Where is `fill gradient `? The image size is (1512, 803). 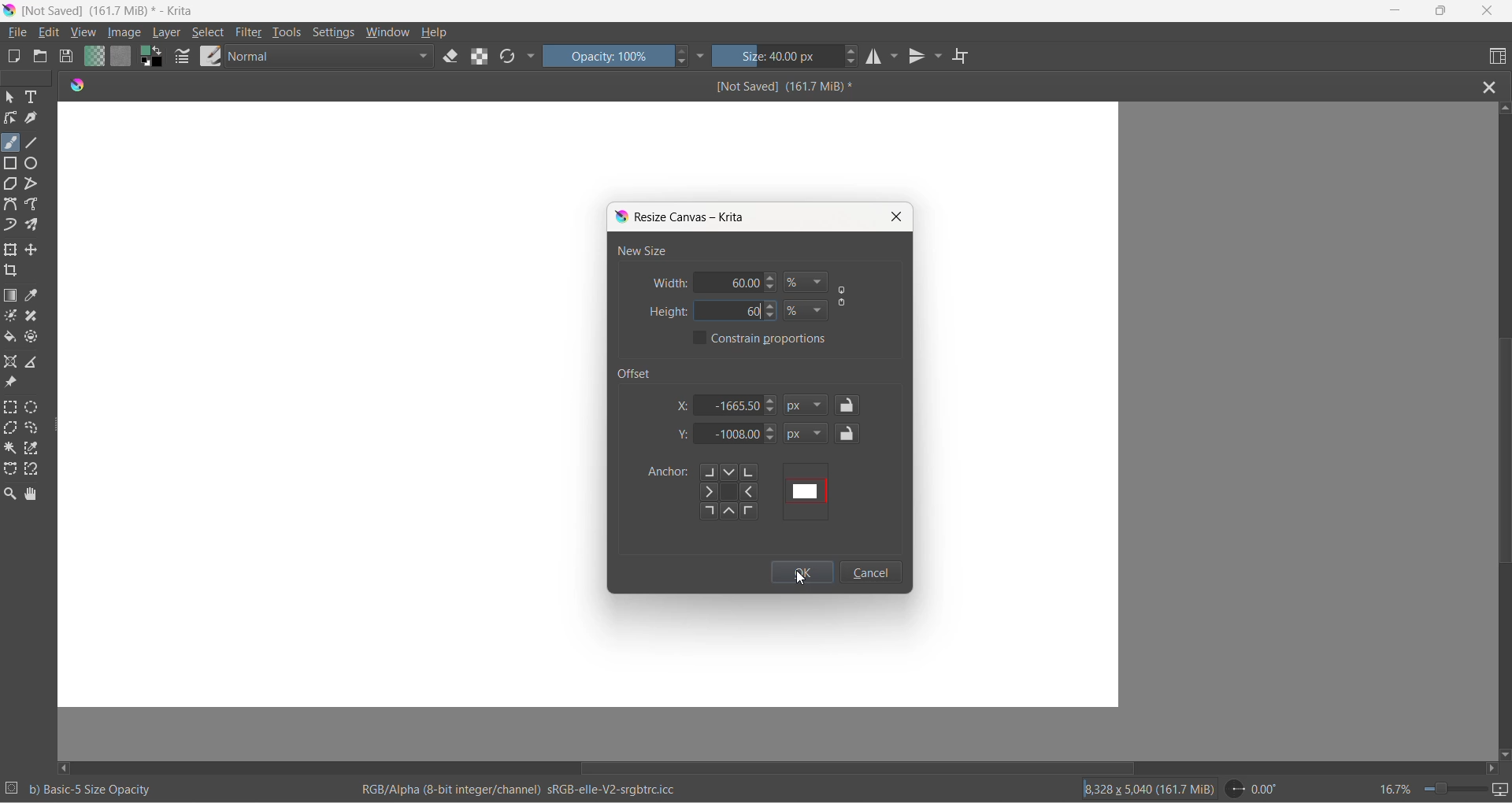 fill gradient  is located at coordinates (92, 58).